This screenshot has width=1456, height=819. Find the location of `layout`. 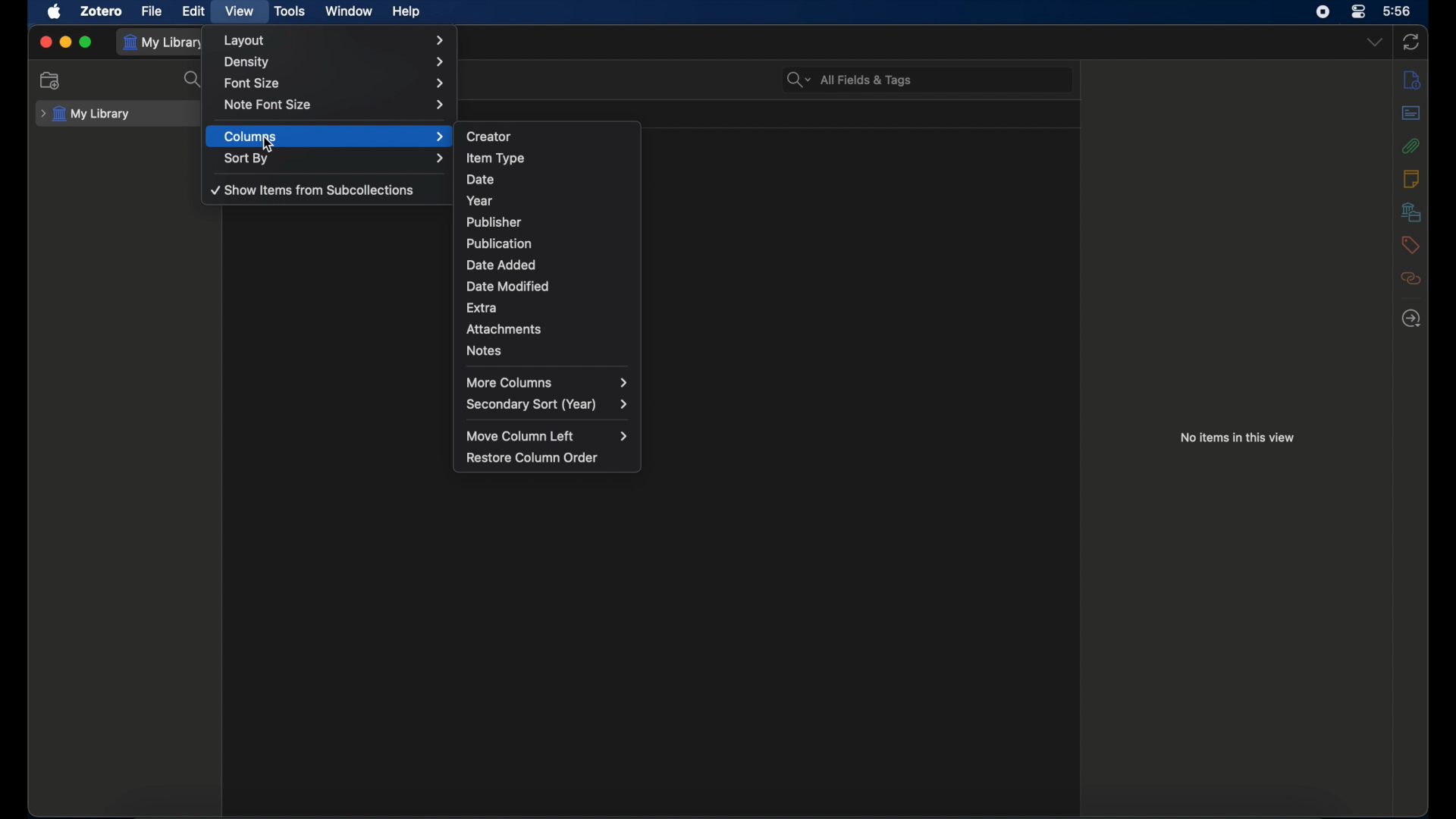

layout is located at coordinates (337, 40).